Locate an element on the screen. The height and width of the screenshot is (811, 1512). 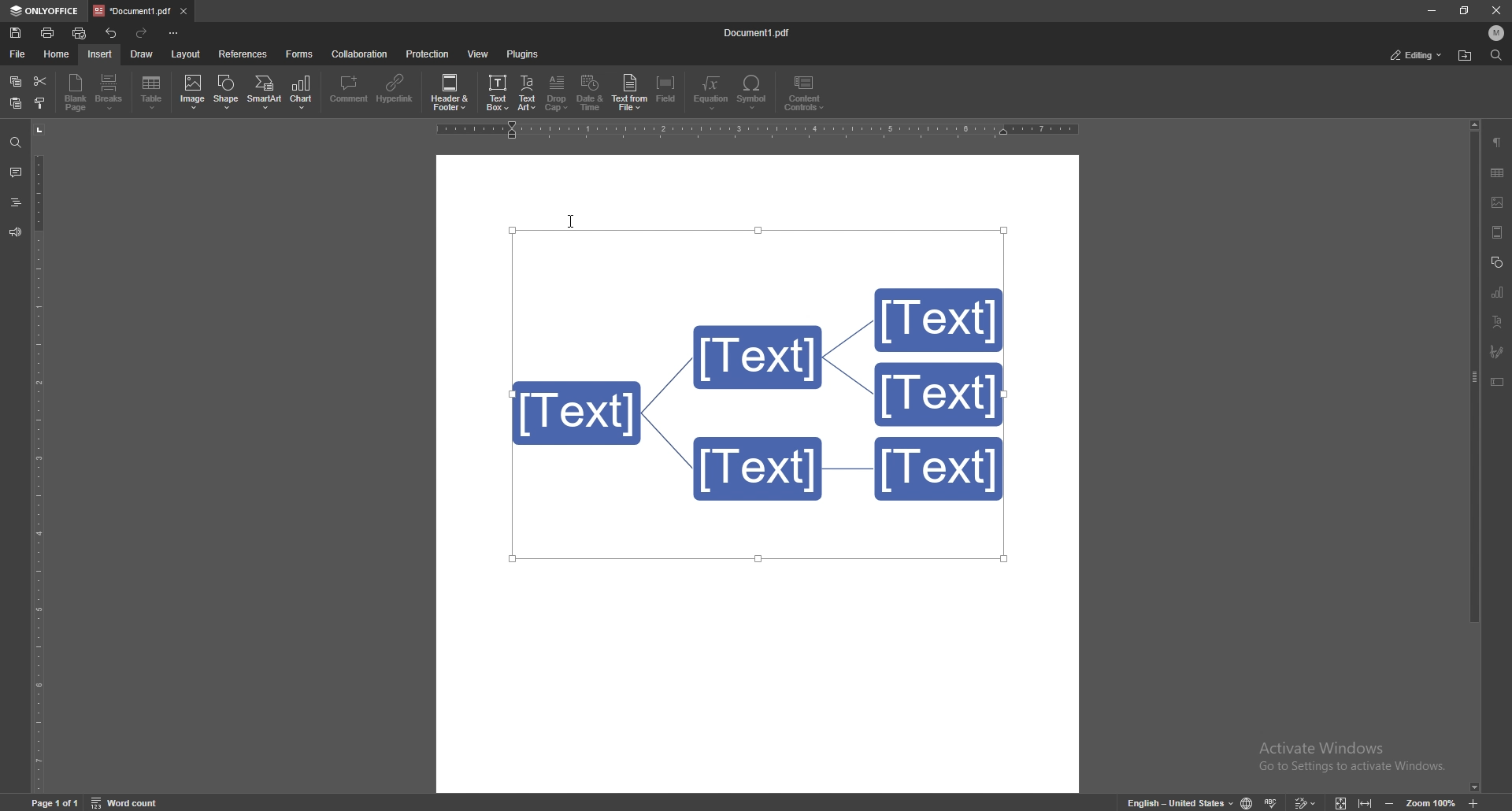
text from field is located at coordinates (630, 91).